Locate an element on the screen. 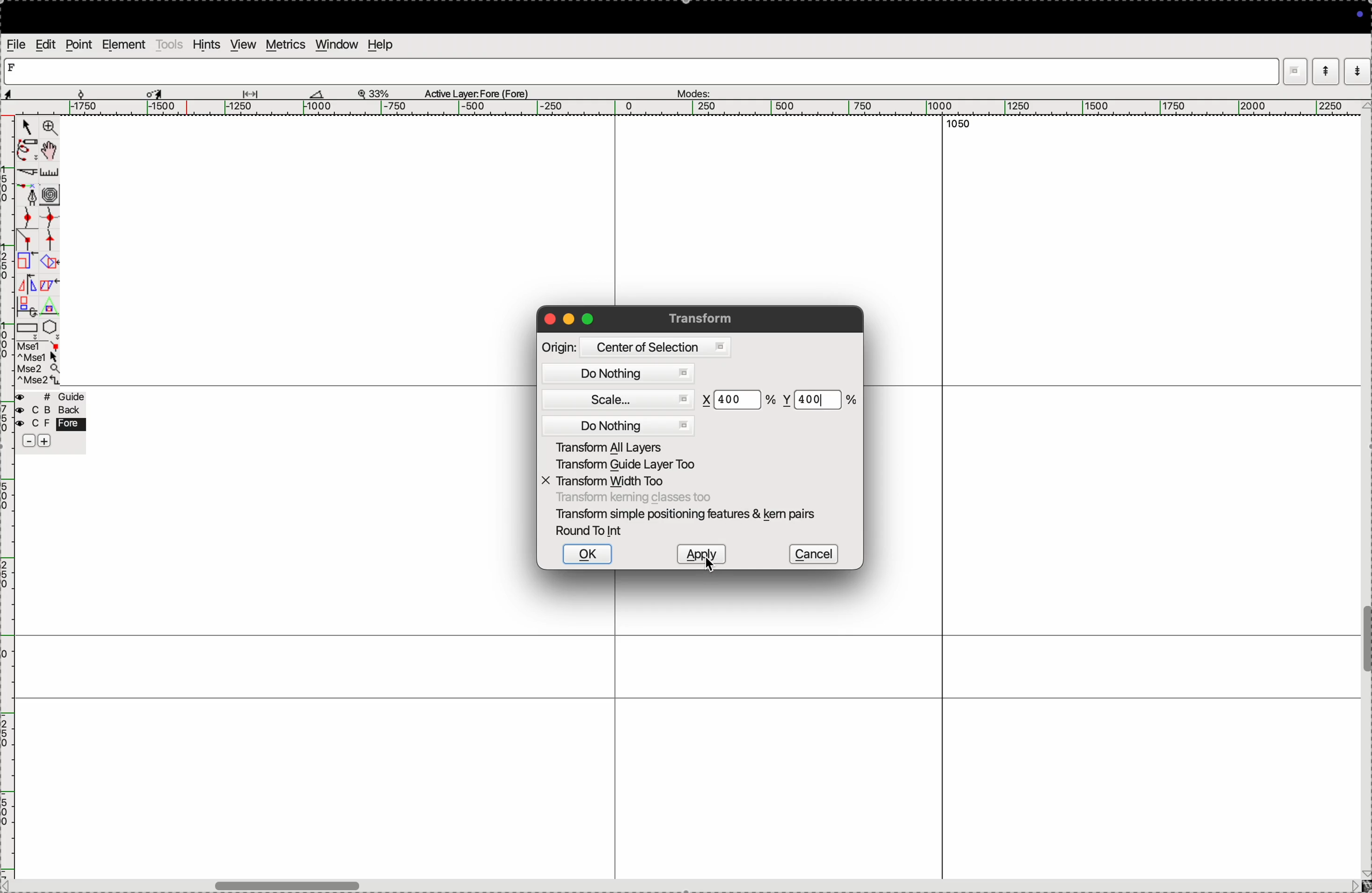 This screenshot has width=1372, height=893. cut is located at coordinates (28, 174).